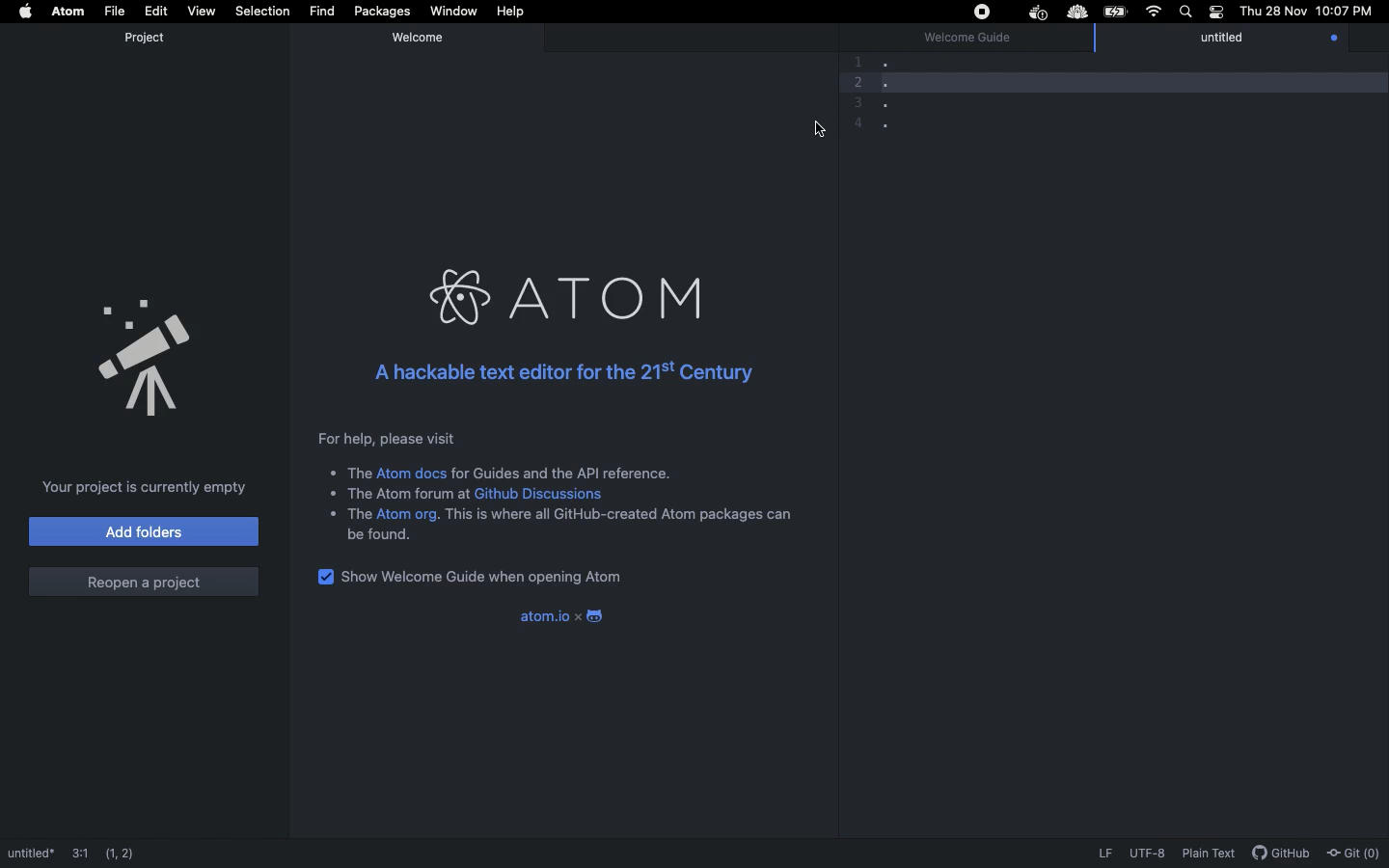 The image size is (1389, 868). I want to click on Time, so click(1345, 14).